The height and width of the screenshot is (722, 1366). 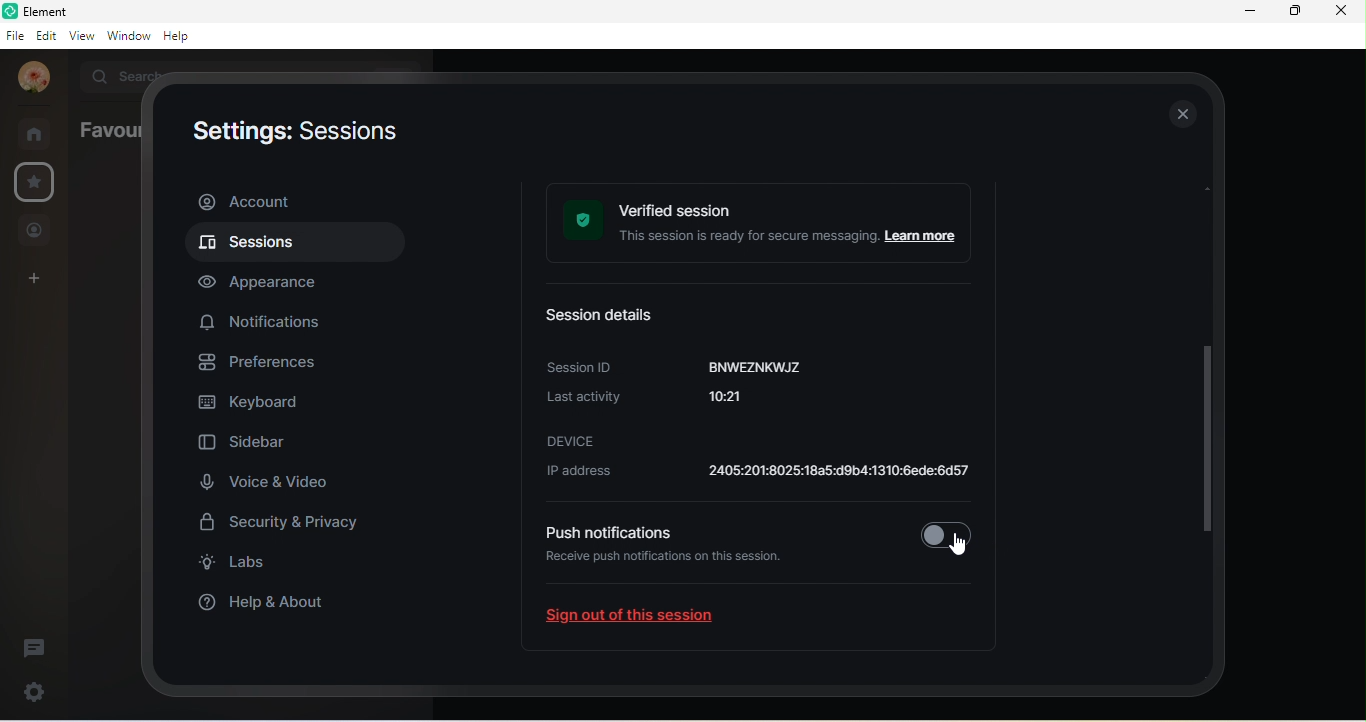 What do you see at coordinates (82, 34) in the screenshot?
I see `view` at bounding box center [82, 34].